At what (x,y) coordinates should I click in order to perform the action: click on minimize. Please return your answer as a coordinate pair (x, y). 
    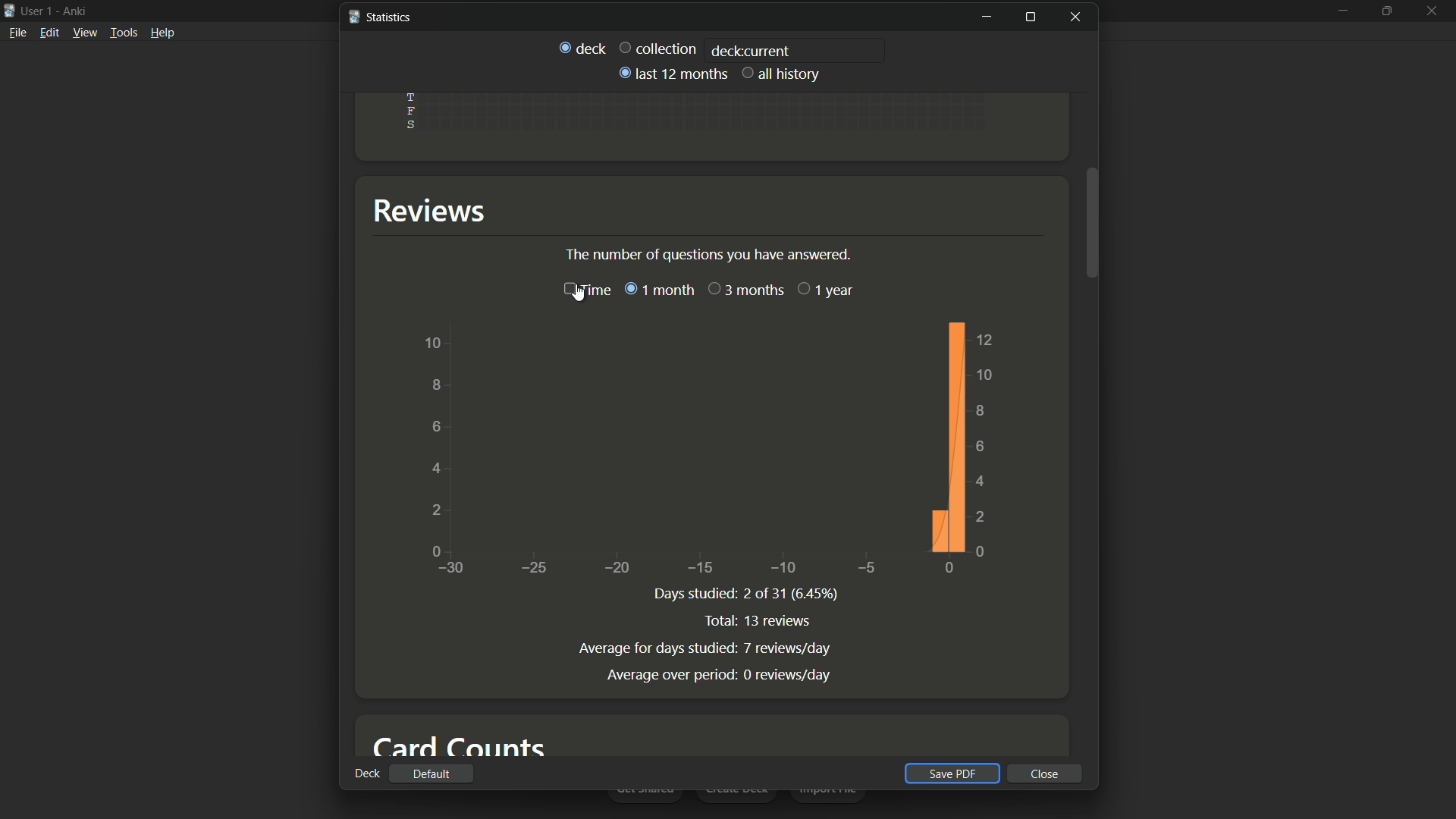
    Looking at the image, I should click on (986, 17).